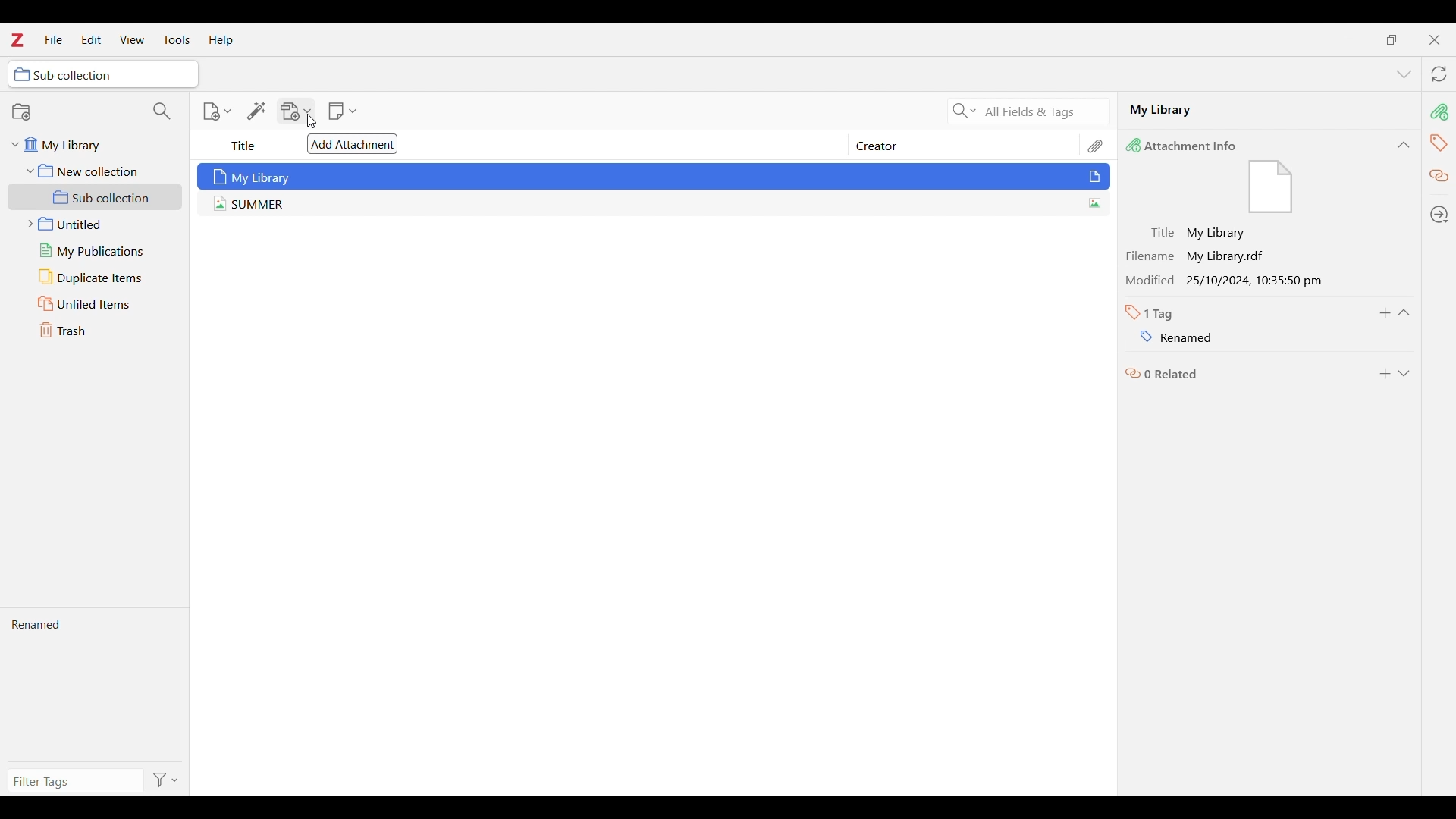 This screenshot has width=1456, height=819. I want to click on Title , so click(244, 147).